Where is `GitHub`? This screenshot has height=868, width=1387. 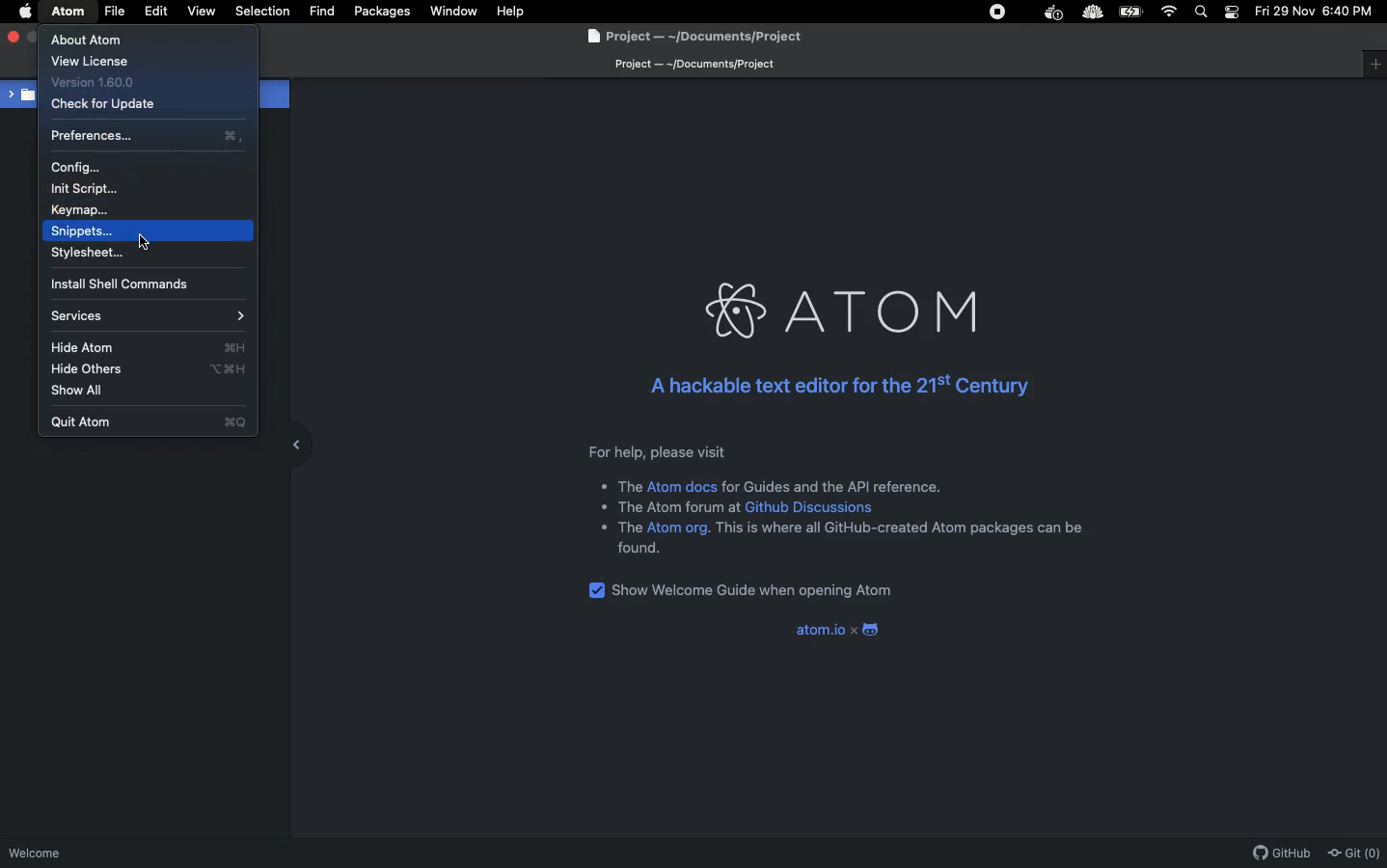
GitHub is located at coordinates (1280, 854).